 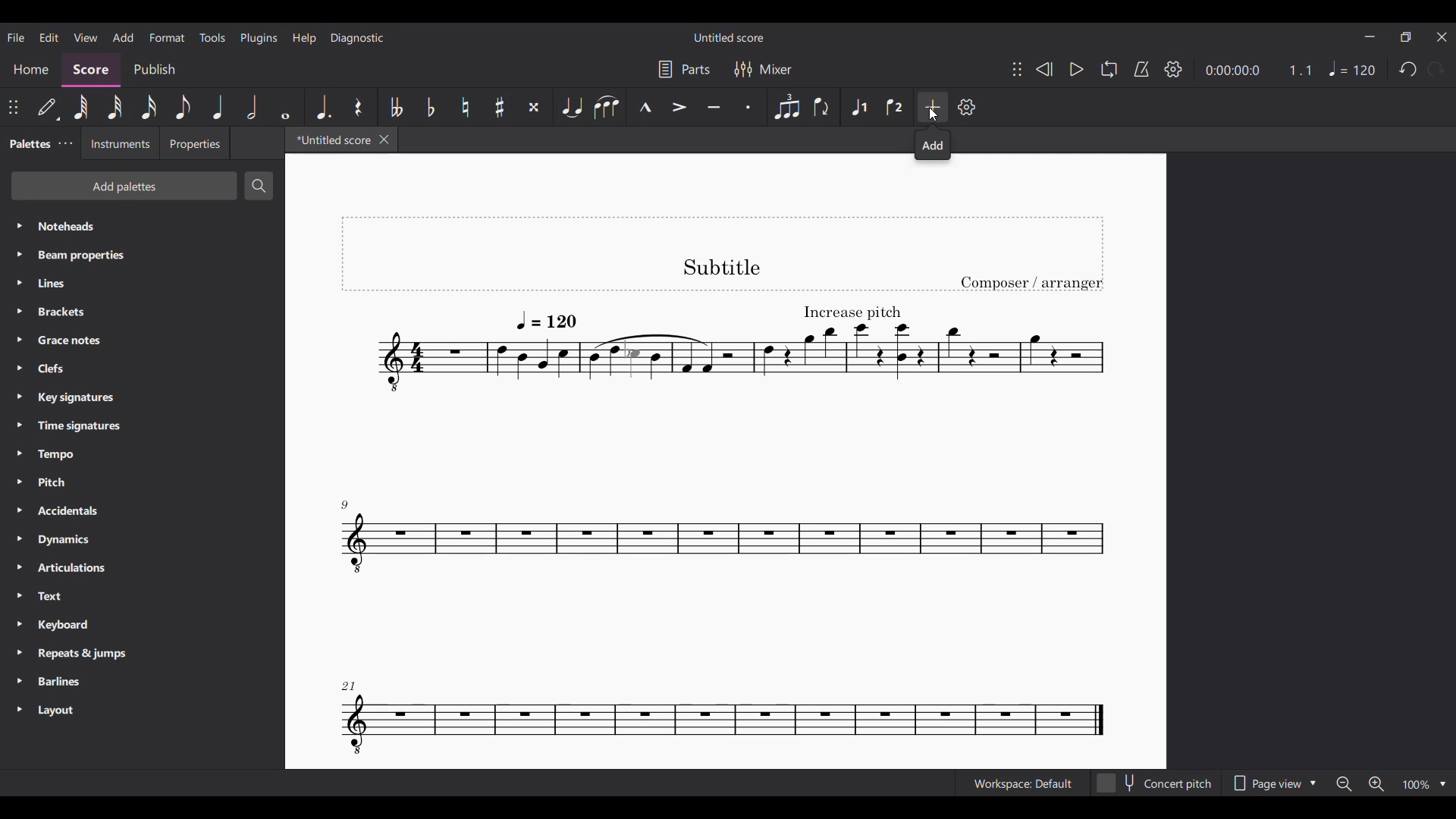 What do you see at coordinates (13, 107) in the screenshot?
I see `Change position ` at bounding box center [13, 107].